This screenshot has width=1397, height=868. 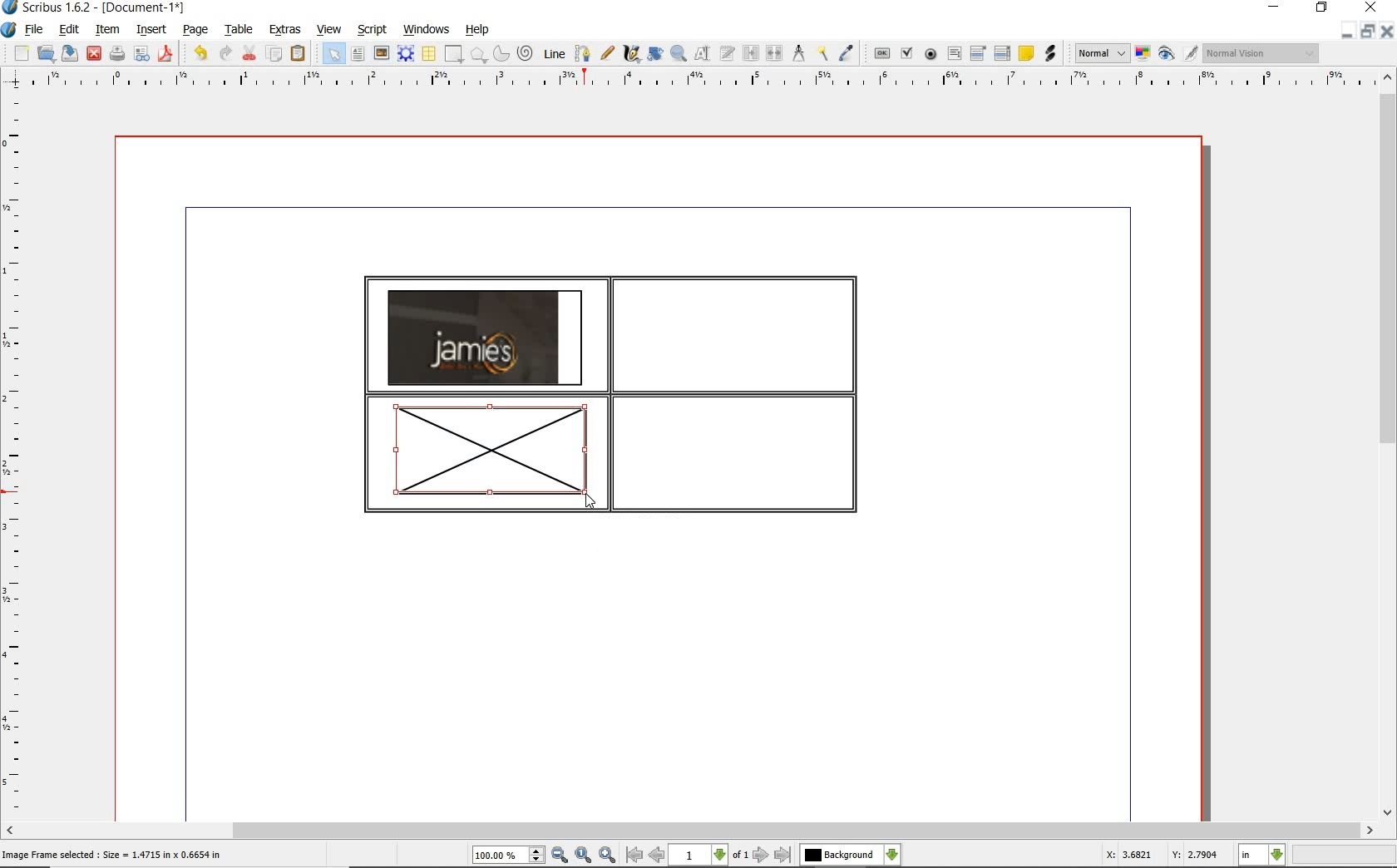 I want to click on zoom out, so click(x=560, y=856).